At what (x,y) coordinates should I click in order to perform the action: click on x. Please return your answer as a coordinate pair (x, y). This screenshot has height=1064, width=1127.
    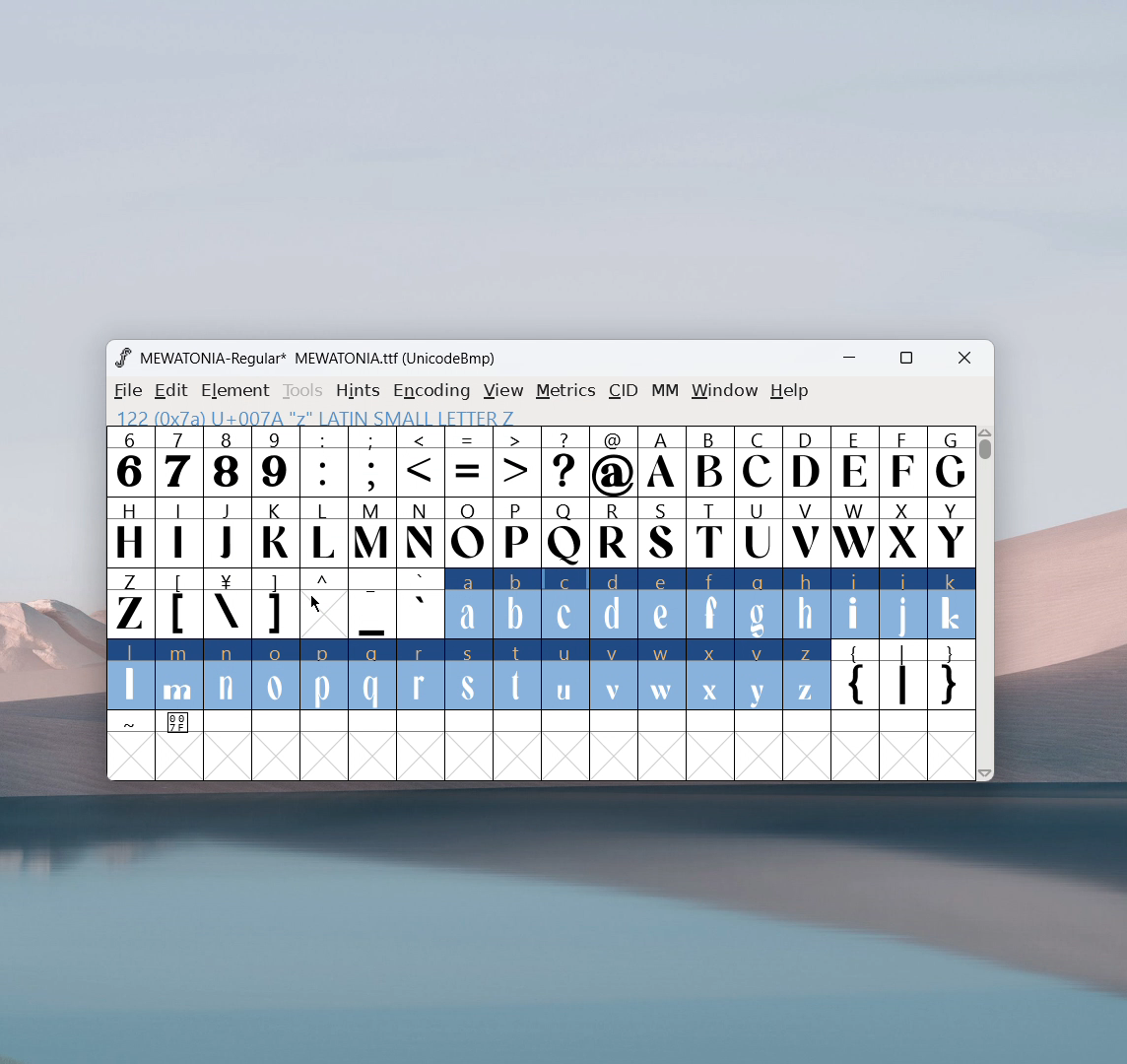
    Looking at the image, I should click on (711, 674).